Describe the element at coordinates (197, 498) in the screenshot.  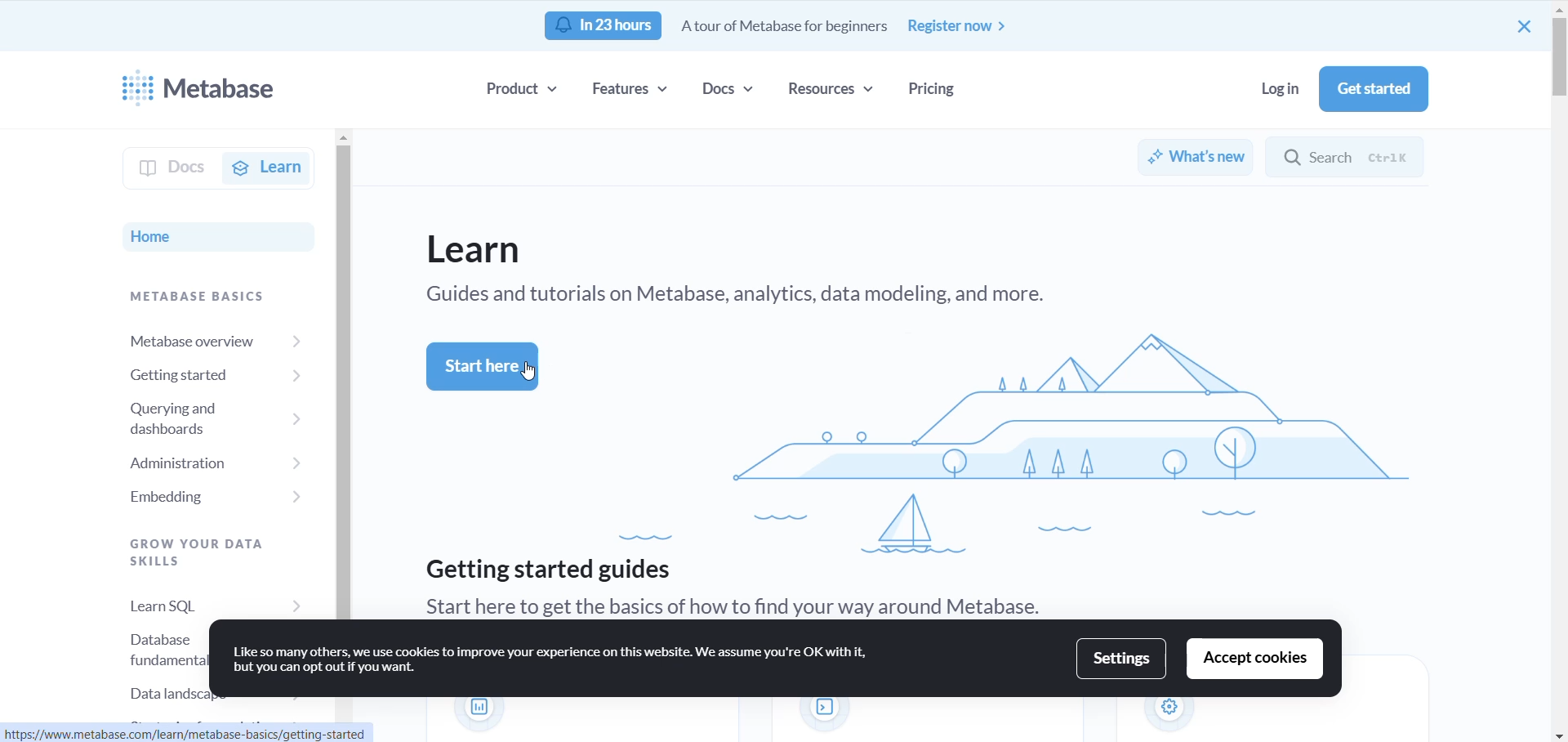
I see `embedding` at that location.